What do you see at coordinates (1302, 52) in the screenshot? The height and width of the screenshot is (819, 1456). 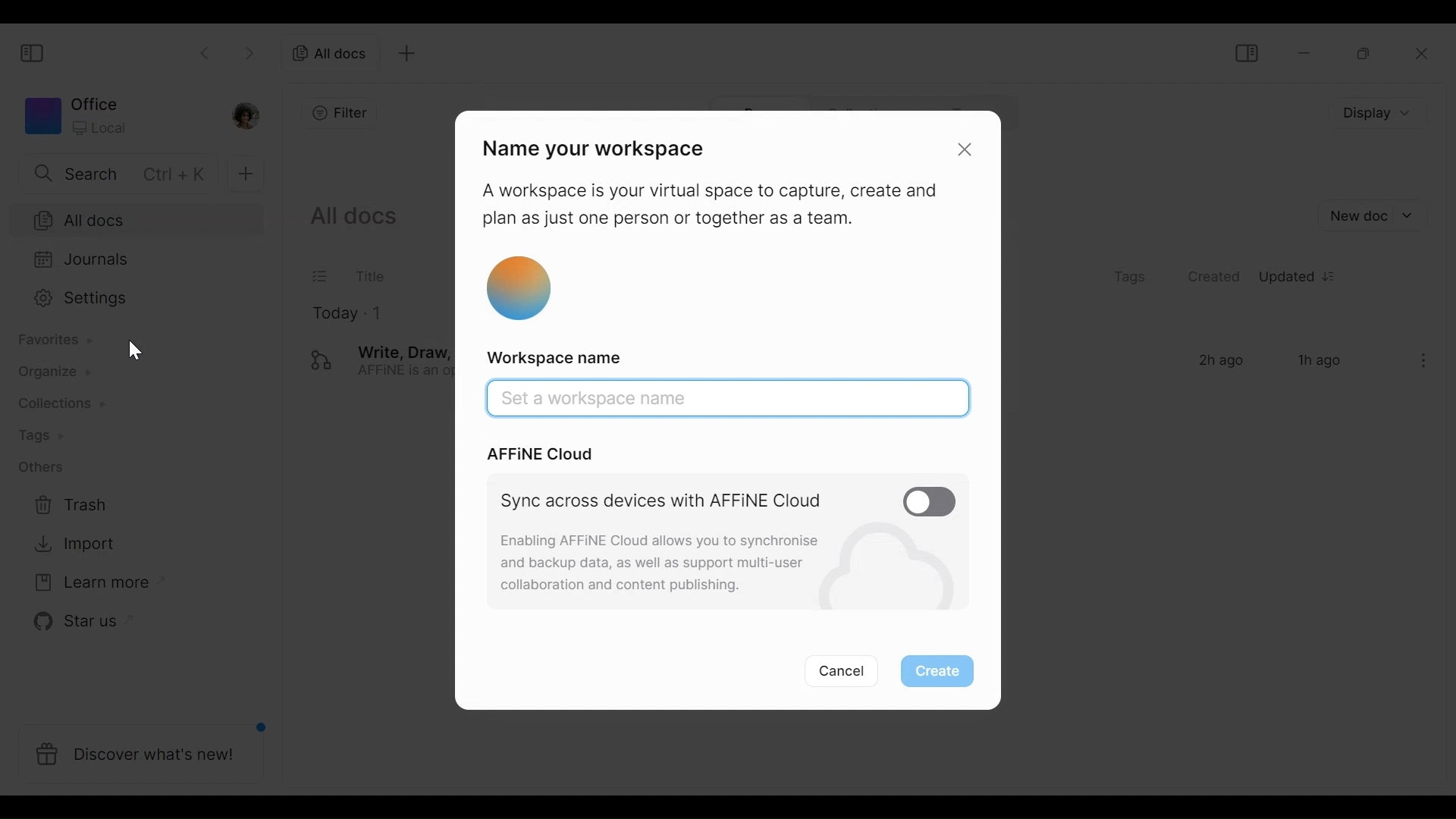 I see `minimize` at bounding box center [1302, 52].